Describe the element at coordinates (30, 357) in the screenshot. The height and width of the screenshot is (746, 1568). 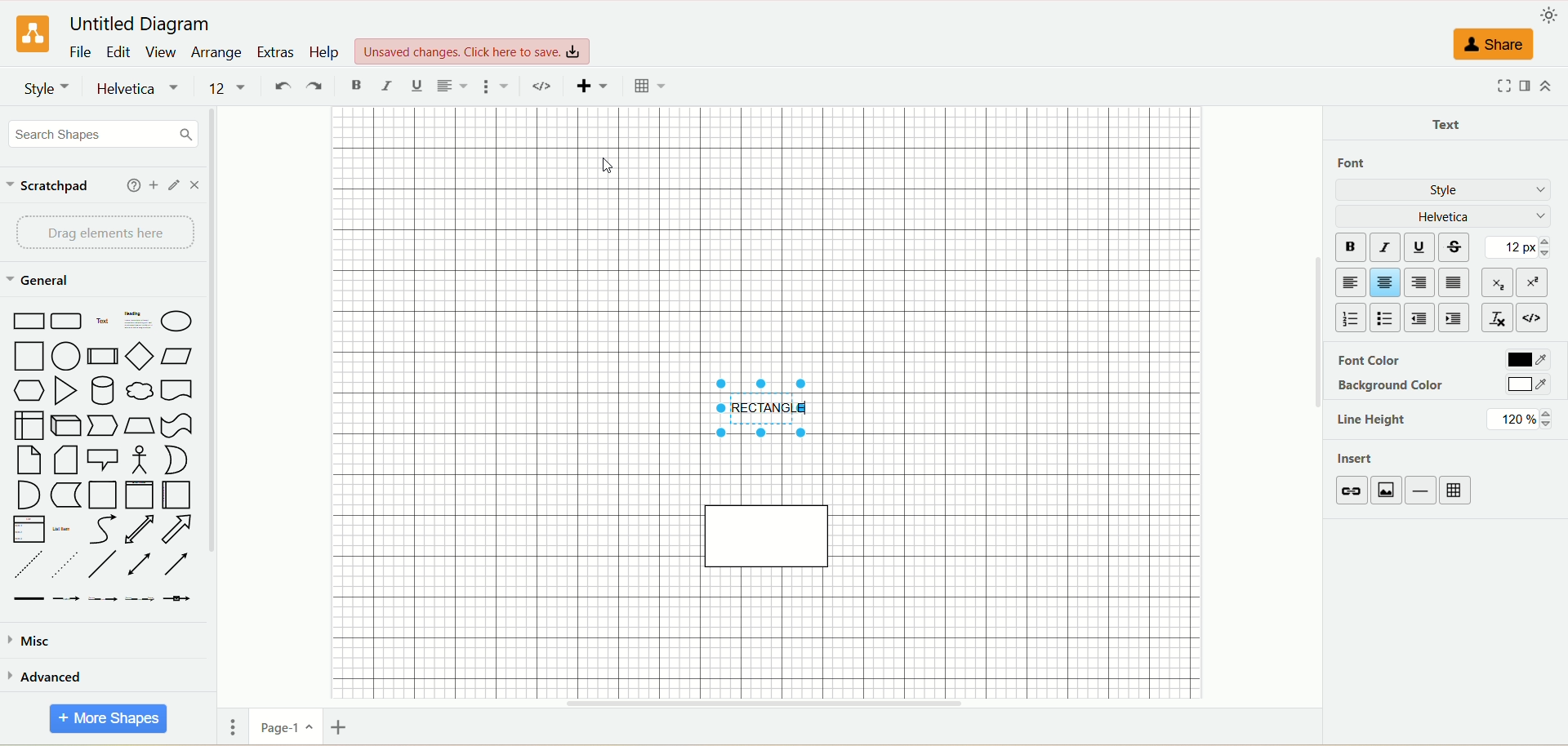
I see `square` at that location.